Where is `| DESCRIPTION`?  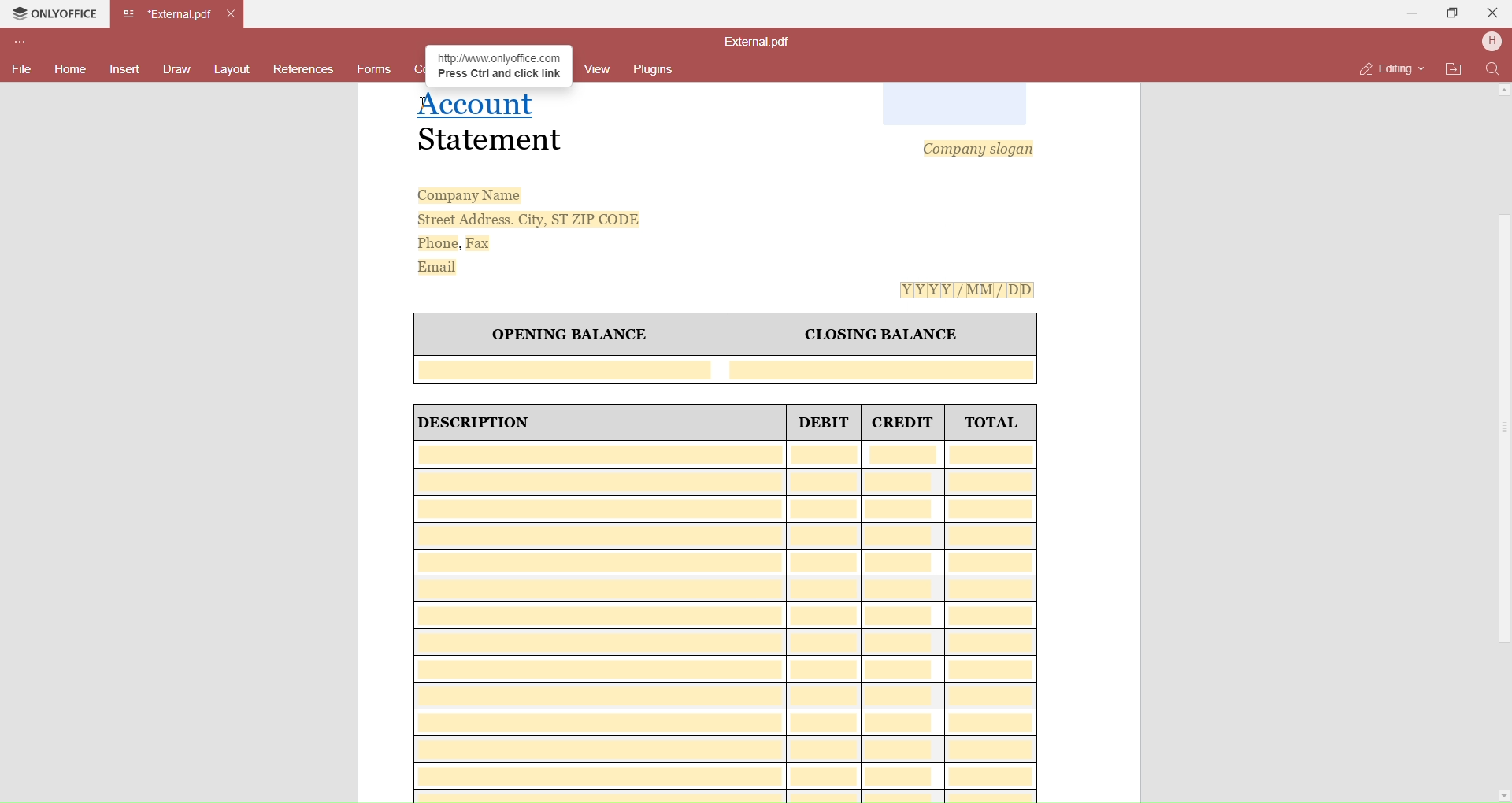
| DESCRIPTION is located at coordinates (476, 423).